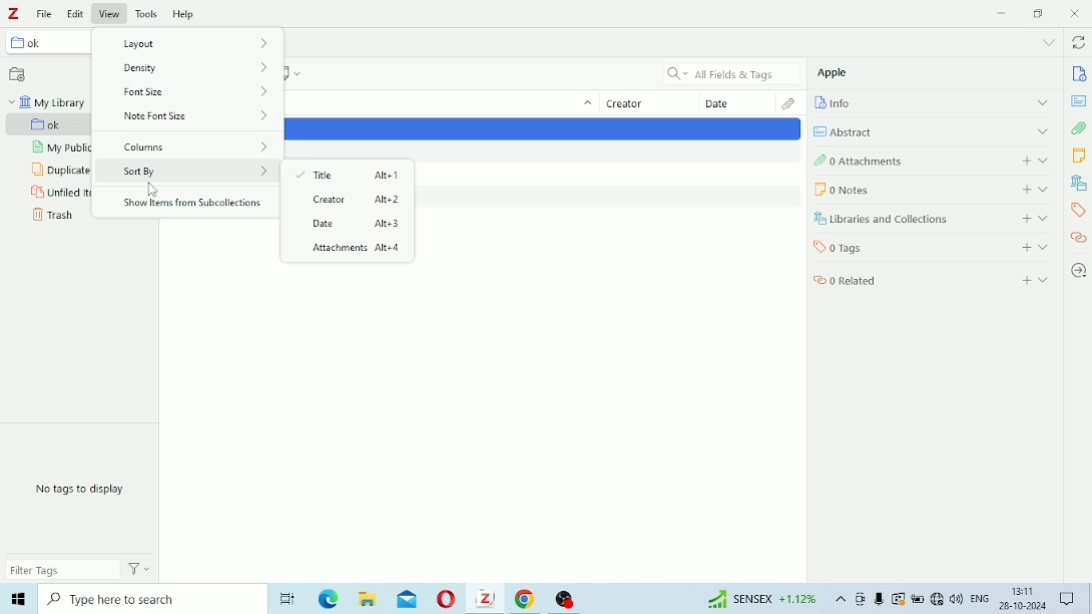 Image resolution: width=1092 pixels, height=614 pixels. Describe the element at coordinates (845, 104) in the screenshot. I see `Info` at that location.